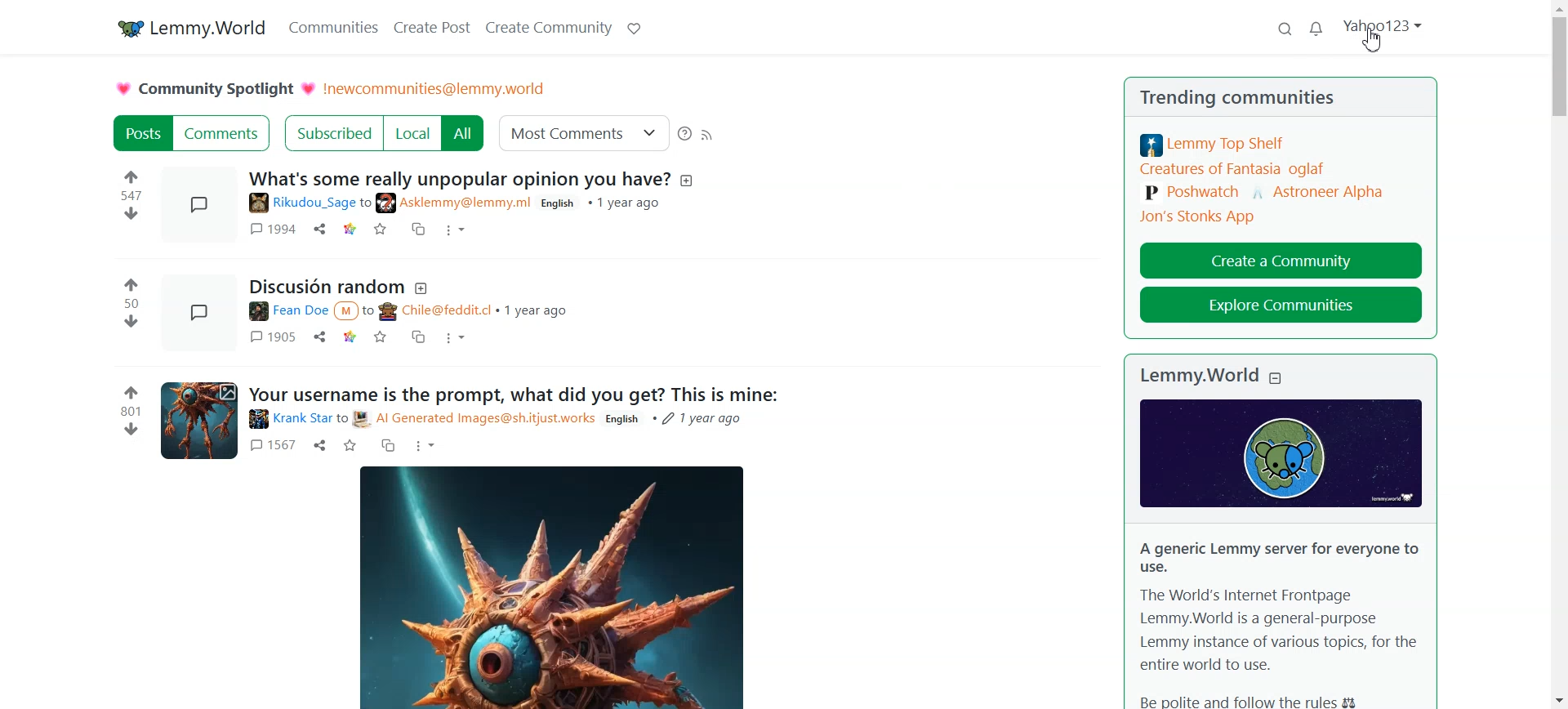  Describe the element at coordinates (196, 313) in the screenshot. I see `thumbnail` at that location.